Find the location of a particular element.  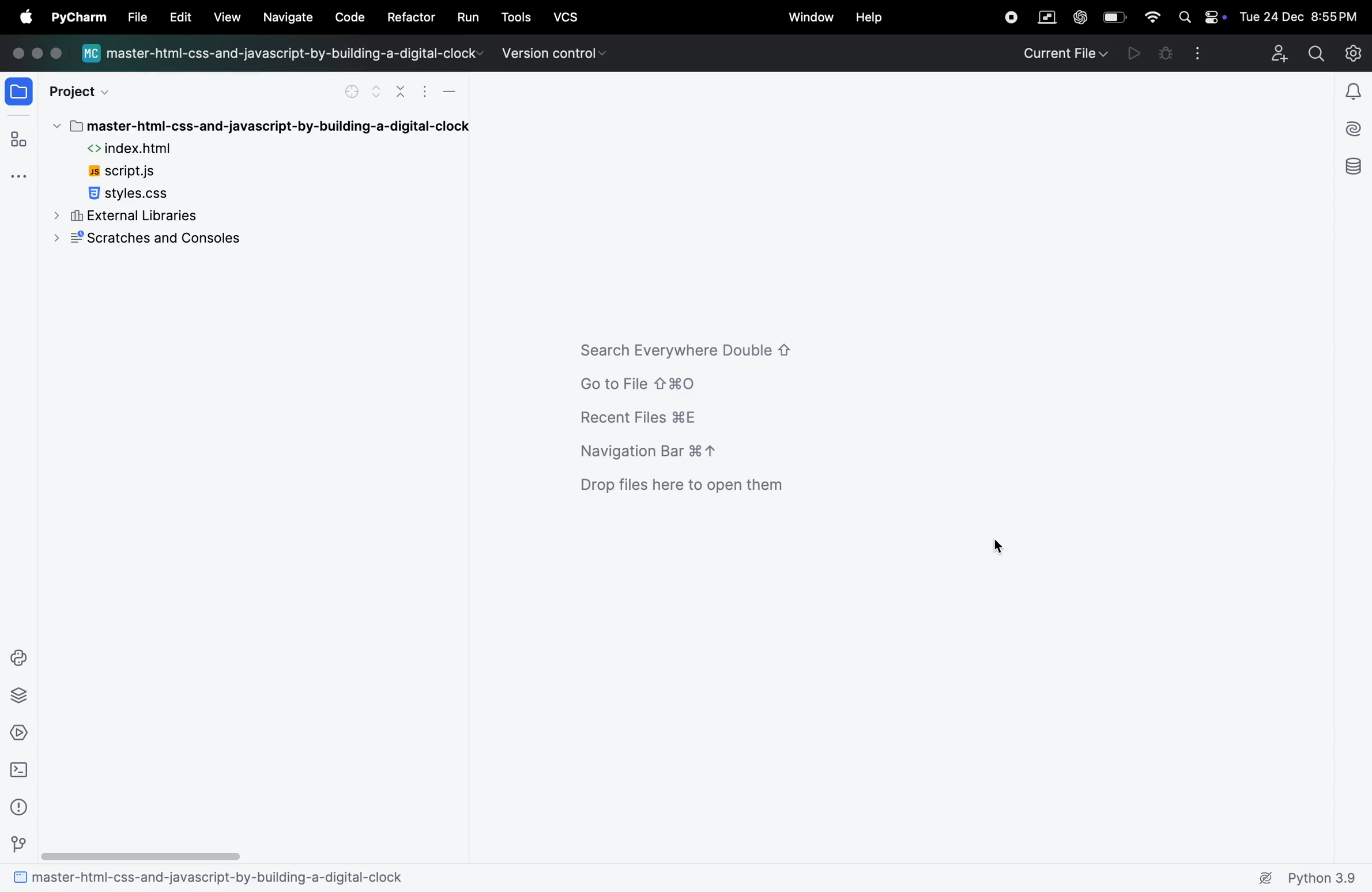

tools is located at coordinates (518, 14).